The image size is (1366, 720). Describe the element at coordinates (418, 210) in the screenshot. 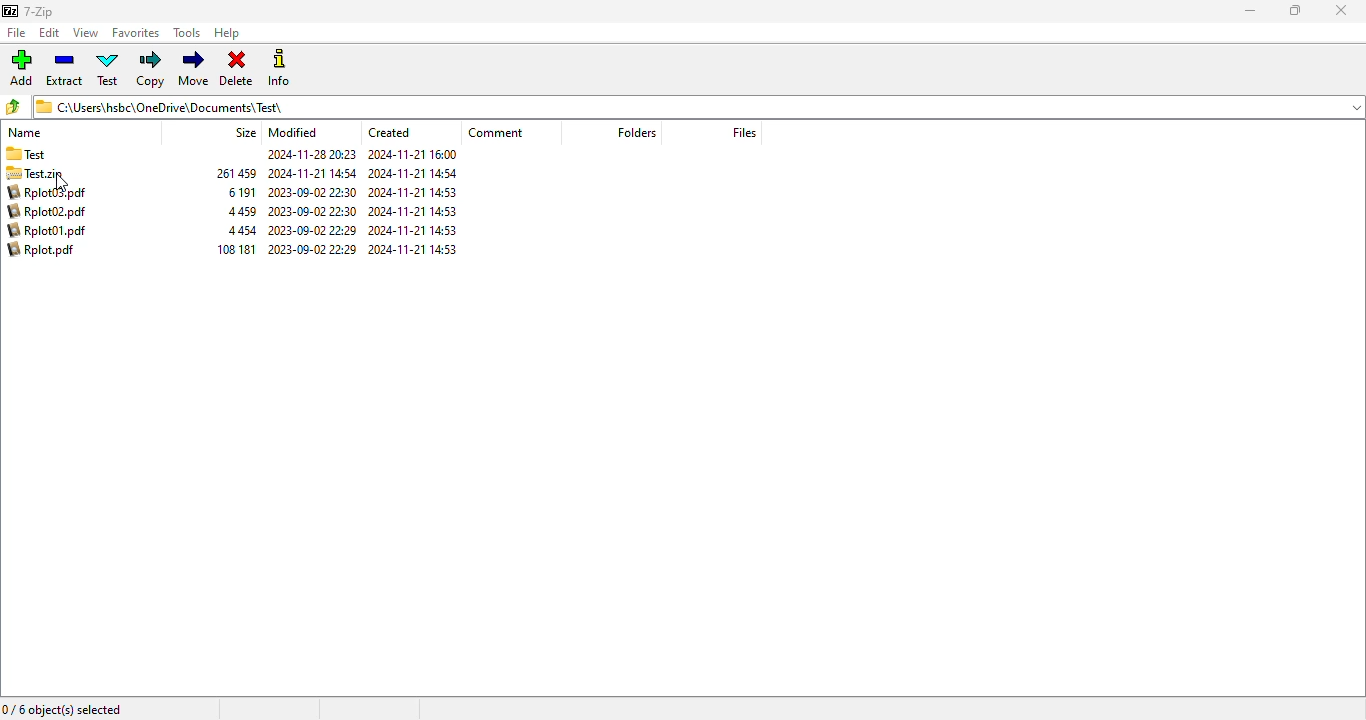

I see `2024-11-21 14:53` at that location.